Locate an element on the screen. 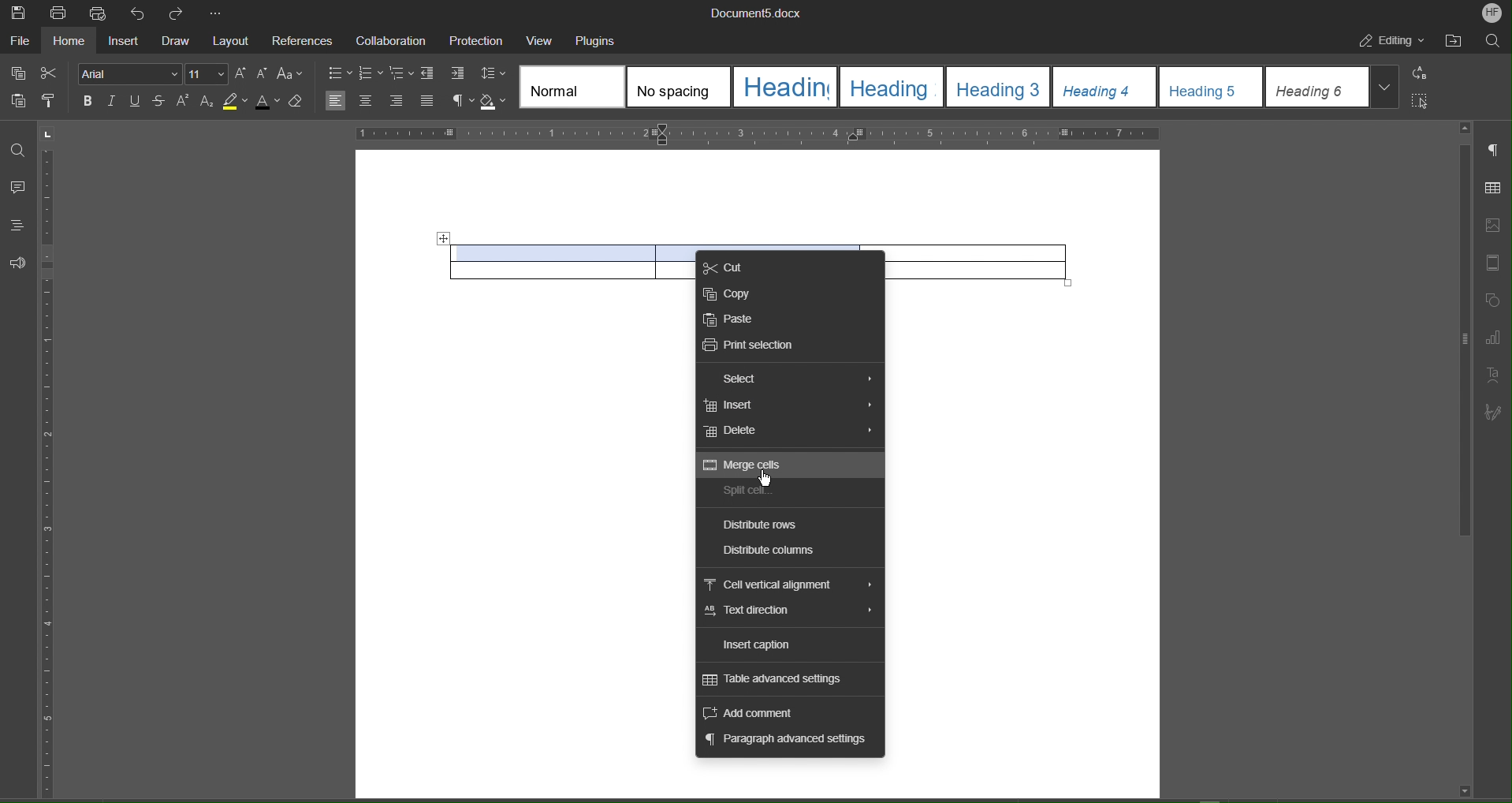 This screenshot has height=803, width=1512. Bold is located at coordinates (88, 102).